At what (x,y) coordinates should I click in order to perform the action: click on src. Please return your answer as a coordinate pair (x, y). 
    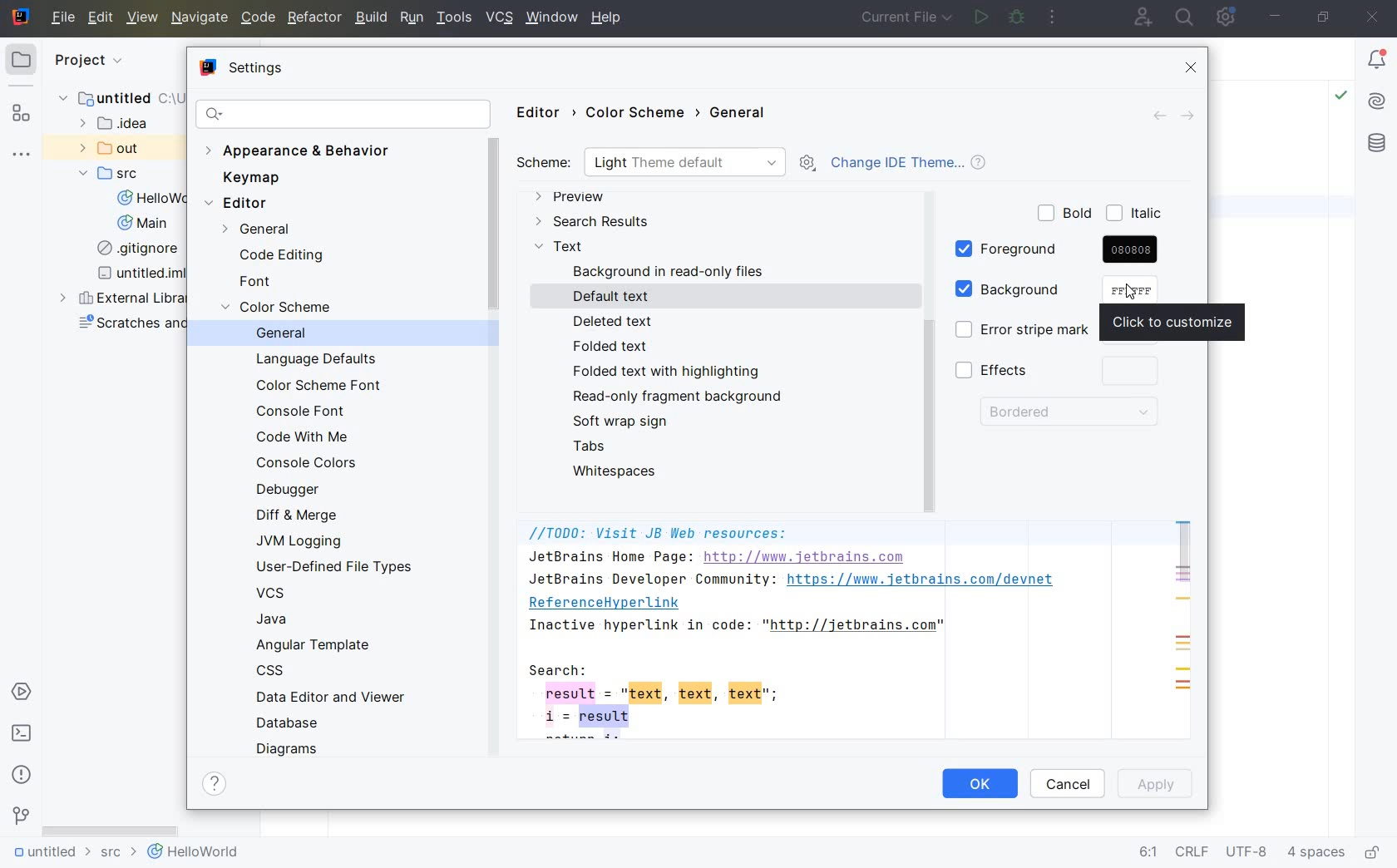
    Looking at the image, I should click on (116, 856).